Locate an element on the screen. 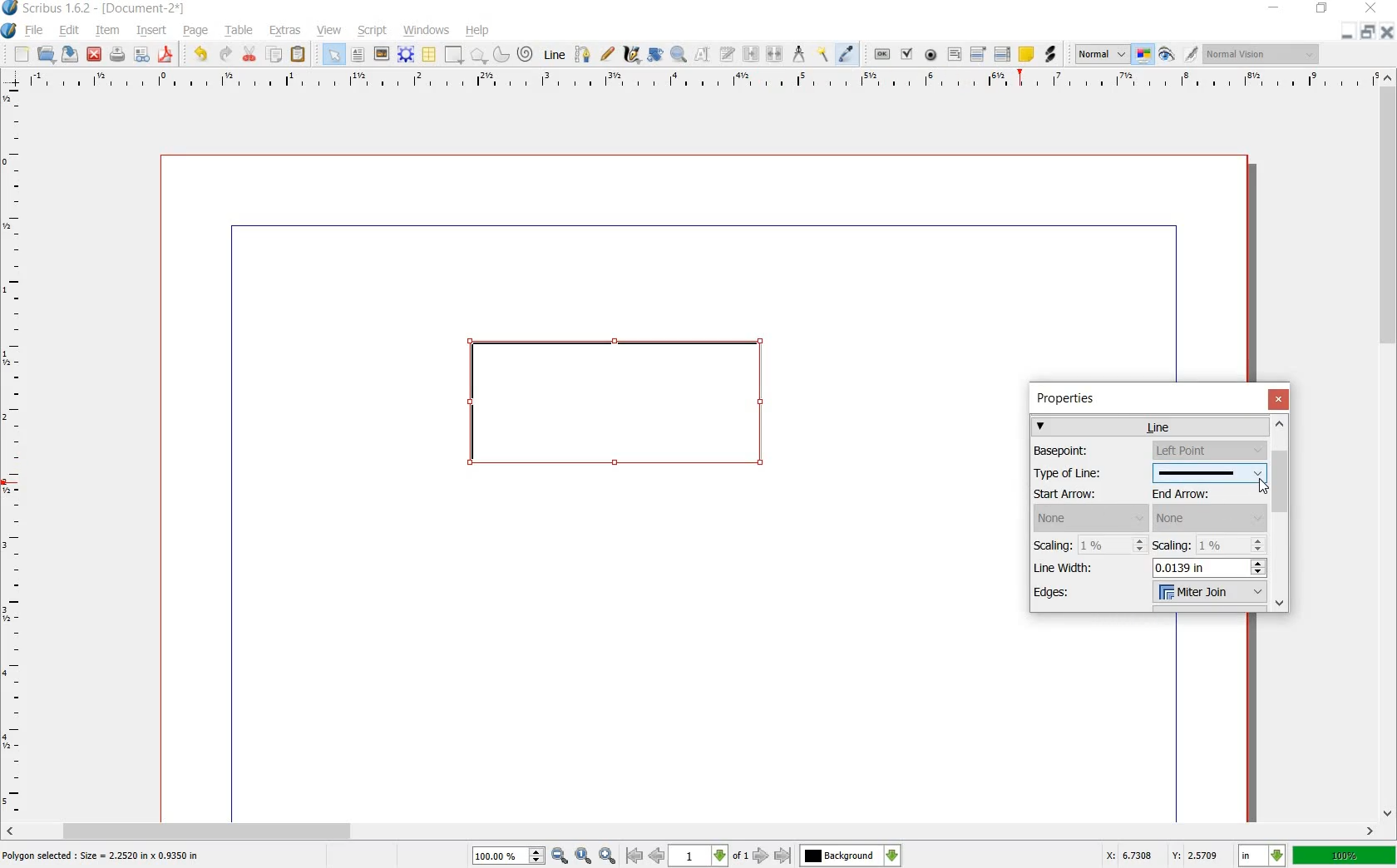 The image size is (1397, 868). SCROLLBAR is located at coordinates (690, 831).